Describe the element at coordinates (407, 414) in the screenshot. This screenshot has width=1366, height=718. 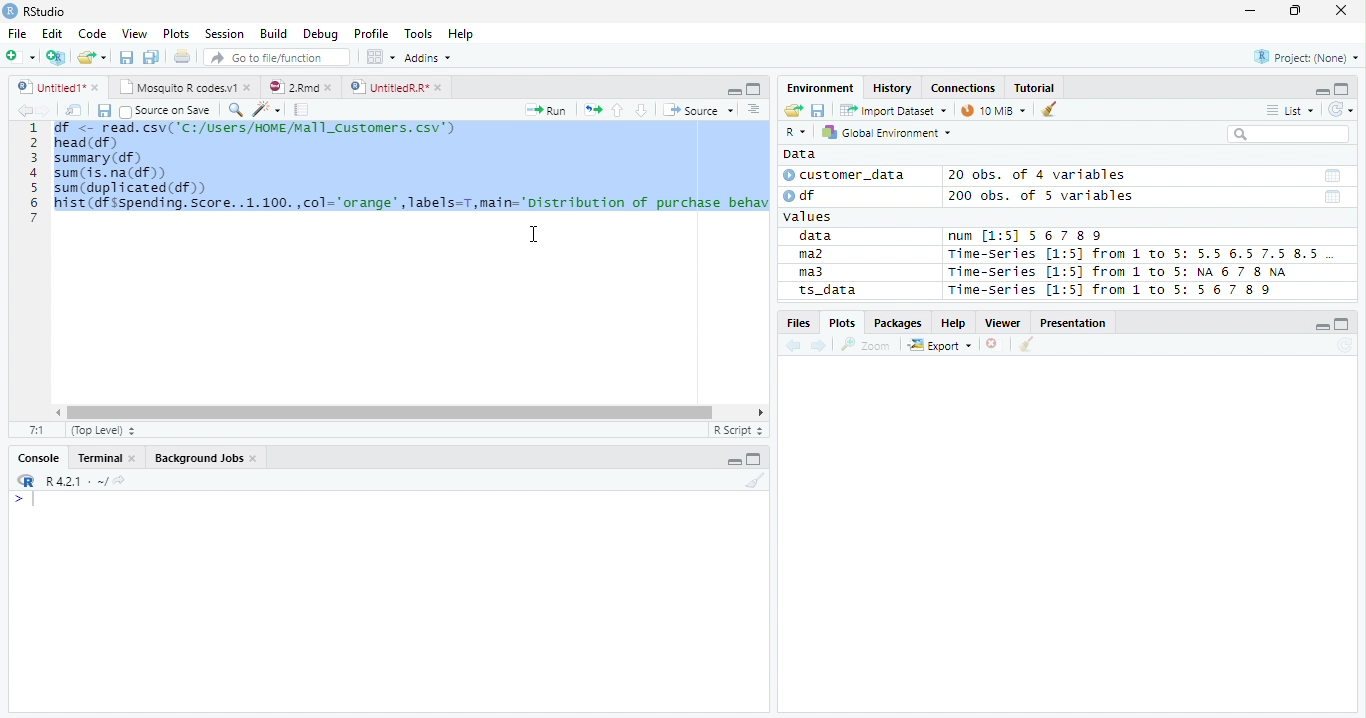
I see `Scroll` at that location.